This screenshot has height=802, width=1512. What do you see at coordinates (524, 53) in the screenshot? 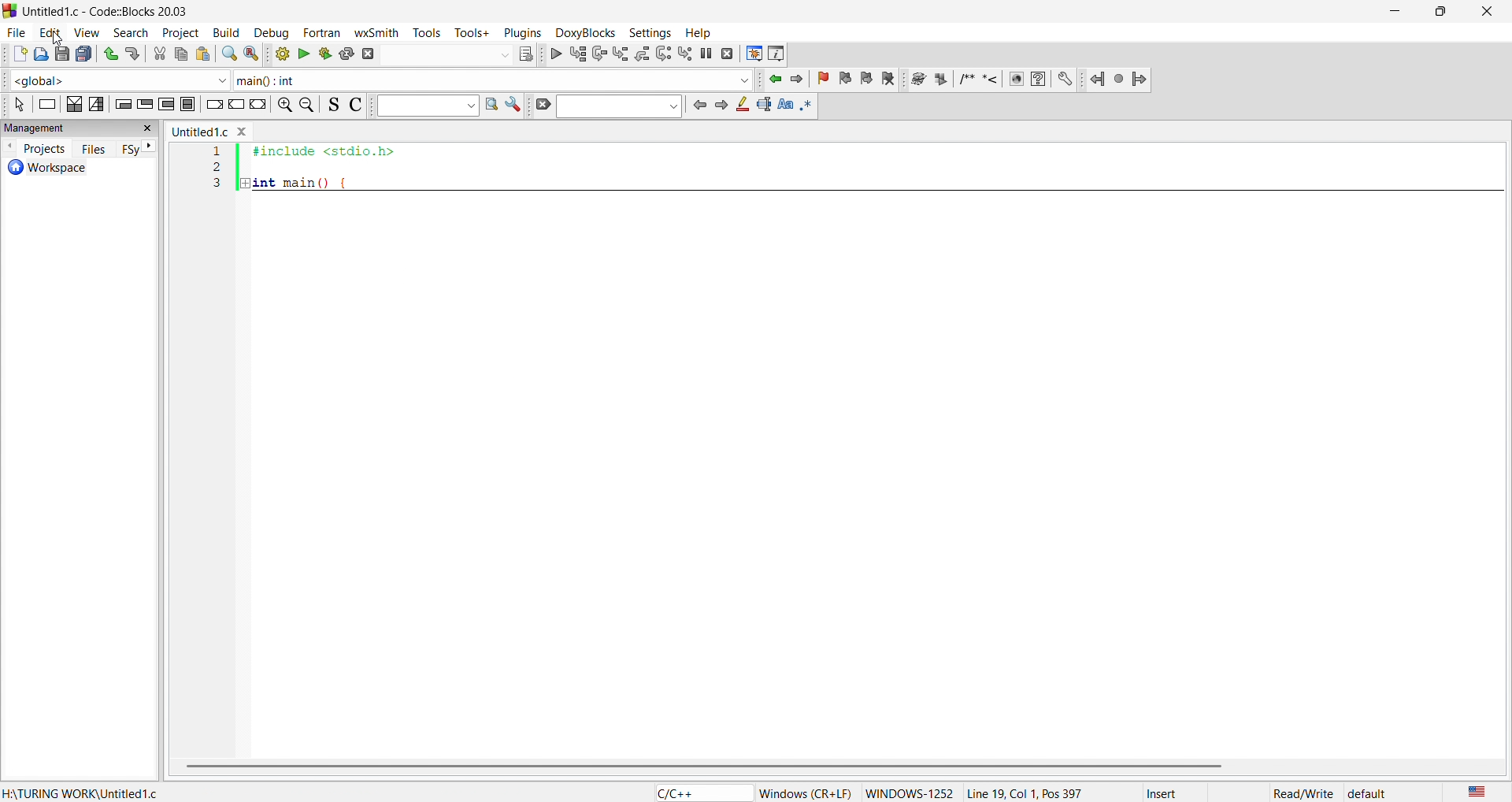
I see `show selected target dialog` at bounding box center [524, 53].